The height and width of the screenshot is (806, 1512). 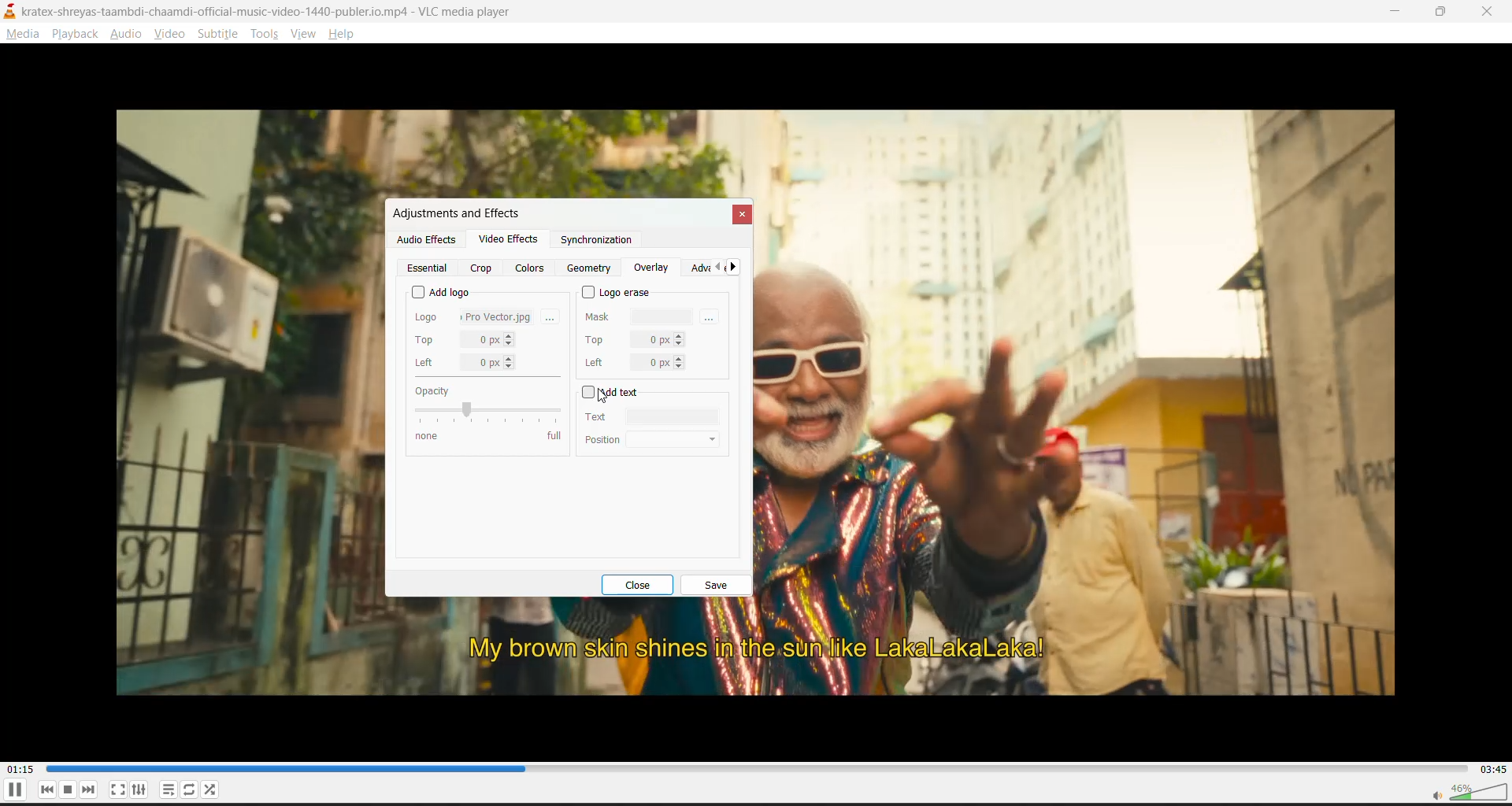 I want to click on kratex-shreyas-taambdi-chaamdi-official-music-video-1440-publer.io.mp4 - VLC media player, so click(x=280, y=12).